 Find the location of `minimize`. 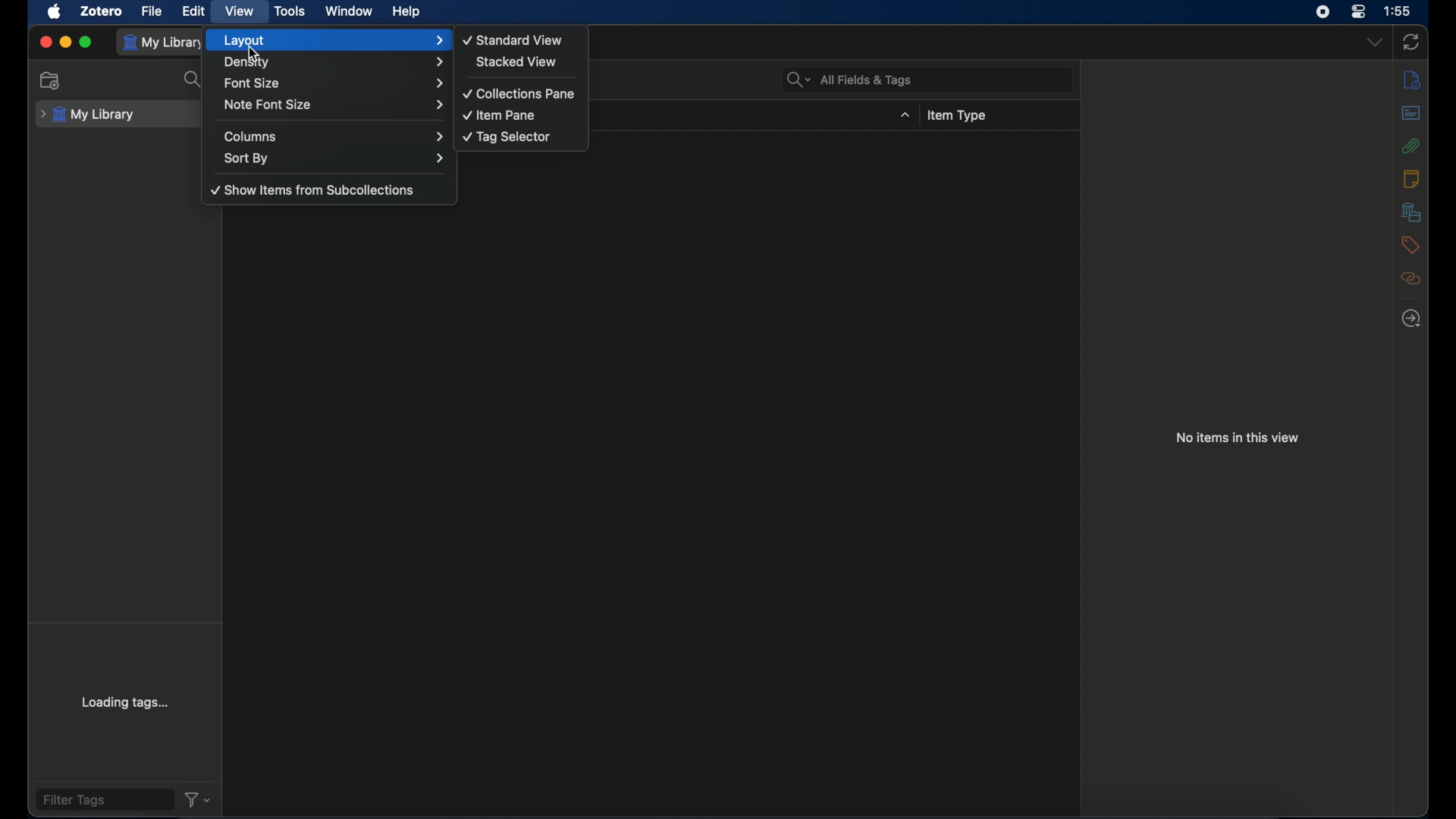

minimize is located at coordinates (65, 42).